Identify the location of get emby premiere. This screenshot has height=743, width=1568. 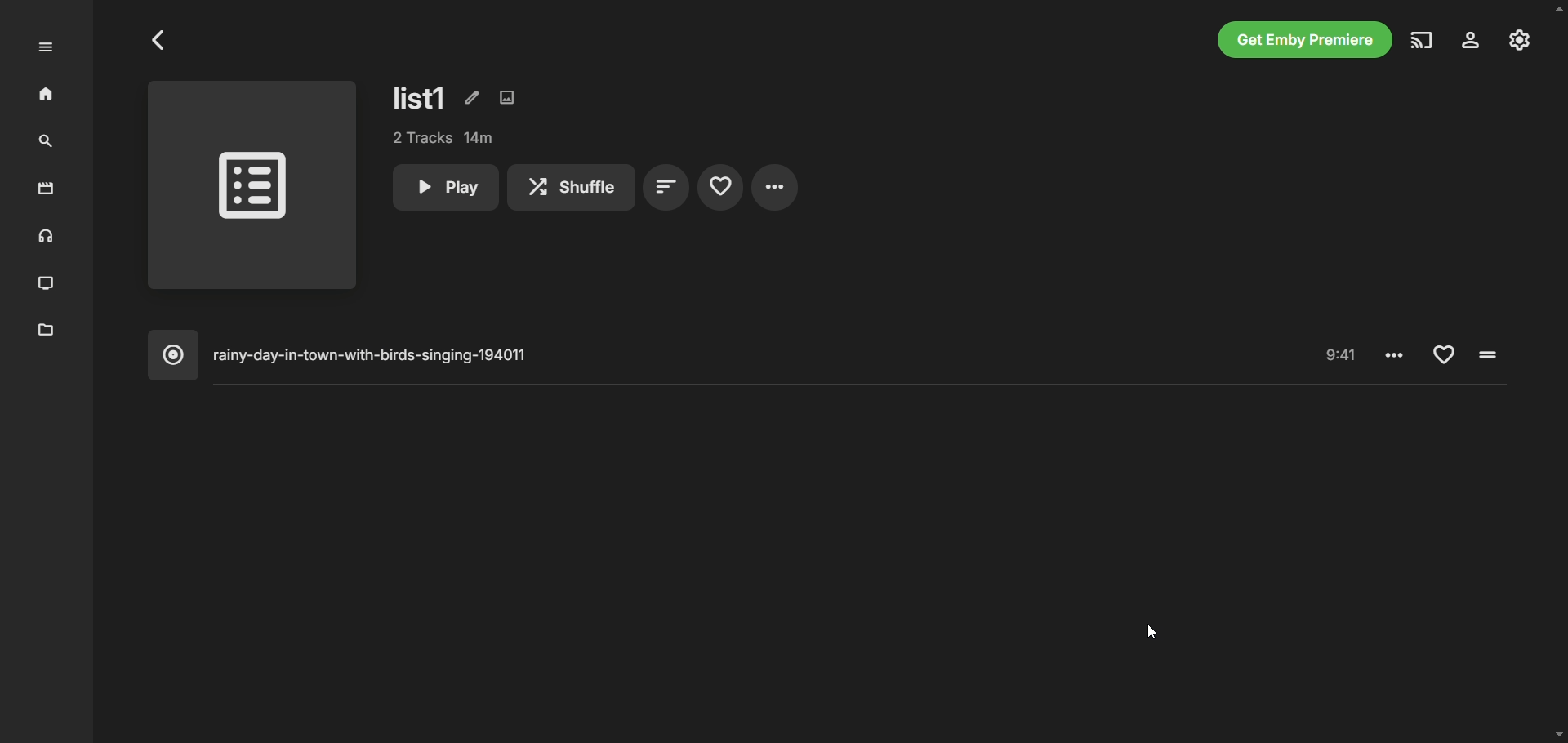
(1305, 39).